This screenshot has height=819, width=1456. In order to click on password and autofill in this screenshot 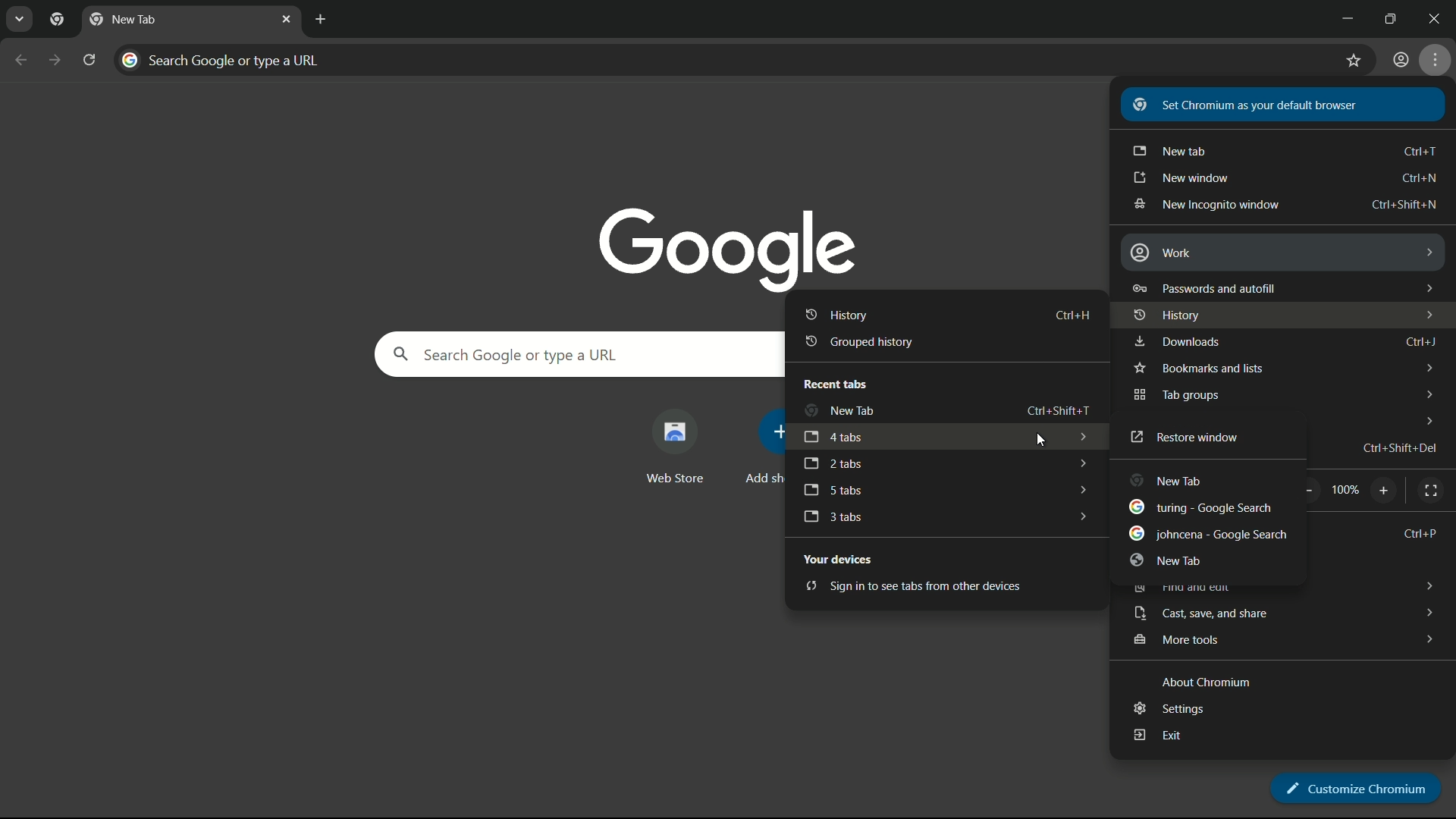, I will do `click(1204, 288)`.